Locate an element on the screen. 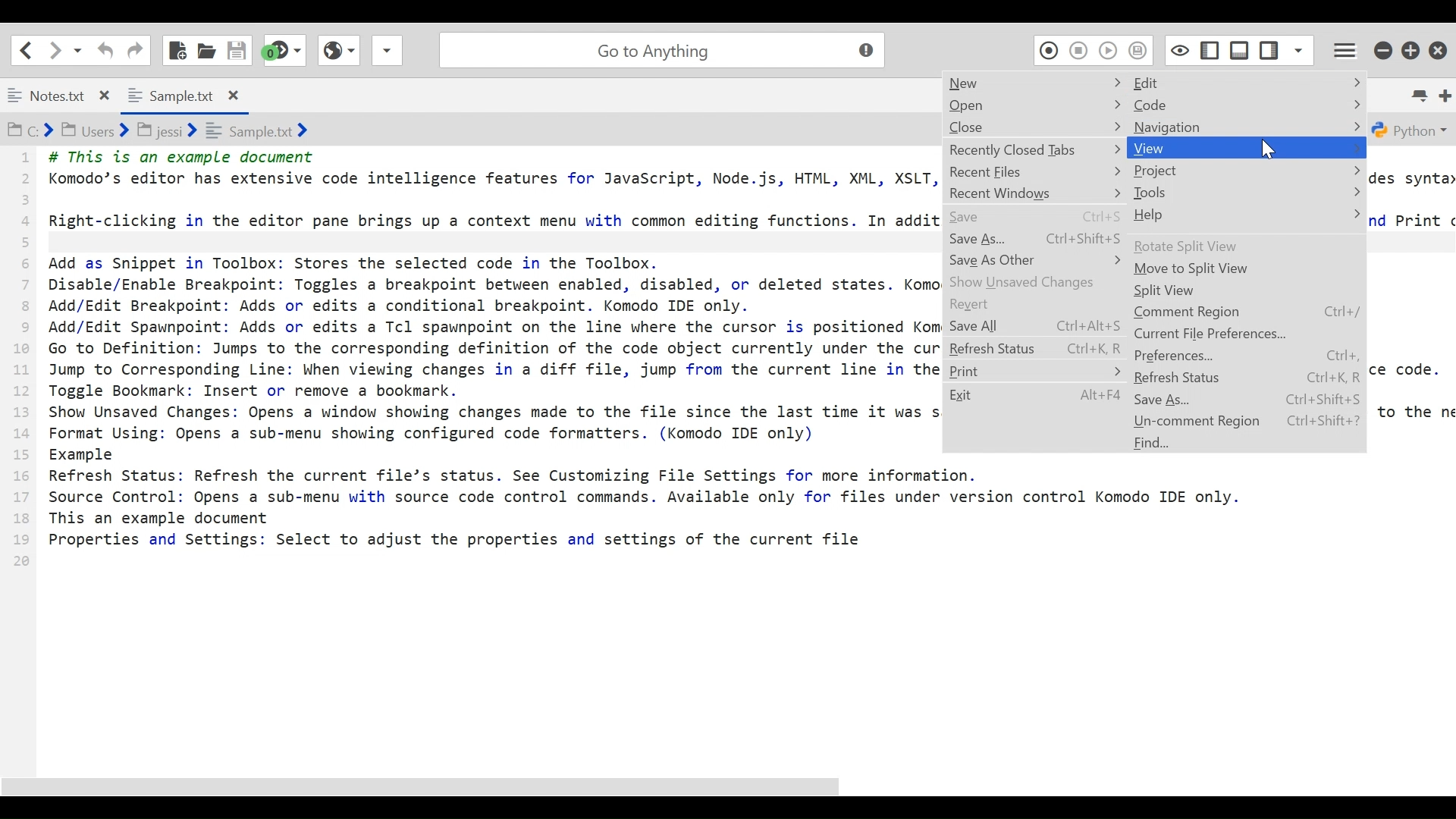 The width and height of the screenshot is (1456, 819). # This 1s an example document

Komodo’s editor has extensive code intelligence features for JavaScript, Node.js, HTML, XML, XSLT,
Right-clicking in the editor pane brings up a context menu with common editing functions. In addit
Add as Snippet in Toolbox: Stores the selected code in the Toolbox.

Disable/Enable Breakpoint: Toggles a breakpoint between enabled, disabled, or deleted states. Komo
Add/Edit Breakpoint: Adds or edits a conditional breakpoint. Komodo IDE only.

Add/Edit Spawnpoint: Adds or edits a Tcl spawnpoint on the line where the cursor is positioned Kom
Go to Definition: Jumps to the corresponding definition of the code object currently under the cur
Jump to Corresponding Line: When viewing changes in a diff file, jump from the current line in the
Toggle Bookmark: Insert or remove a bookmark.

Show Unsaved Changes: Opens a window showing changes made to the file since the last time it was s
Format Using: Opens a sub-menu showing configured code formatters. (Komodo IDE only)

Example

Refresh Status: Refresh the current file’s status. See Customizing File Settings for more informat
Source Control: Opens a sub-menu with source code control commands. Available only for files under
This an example document

Properties and Settings: Select to adjust the properties and settings of the current file is located at coordinates (491, 369).